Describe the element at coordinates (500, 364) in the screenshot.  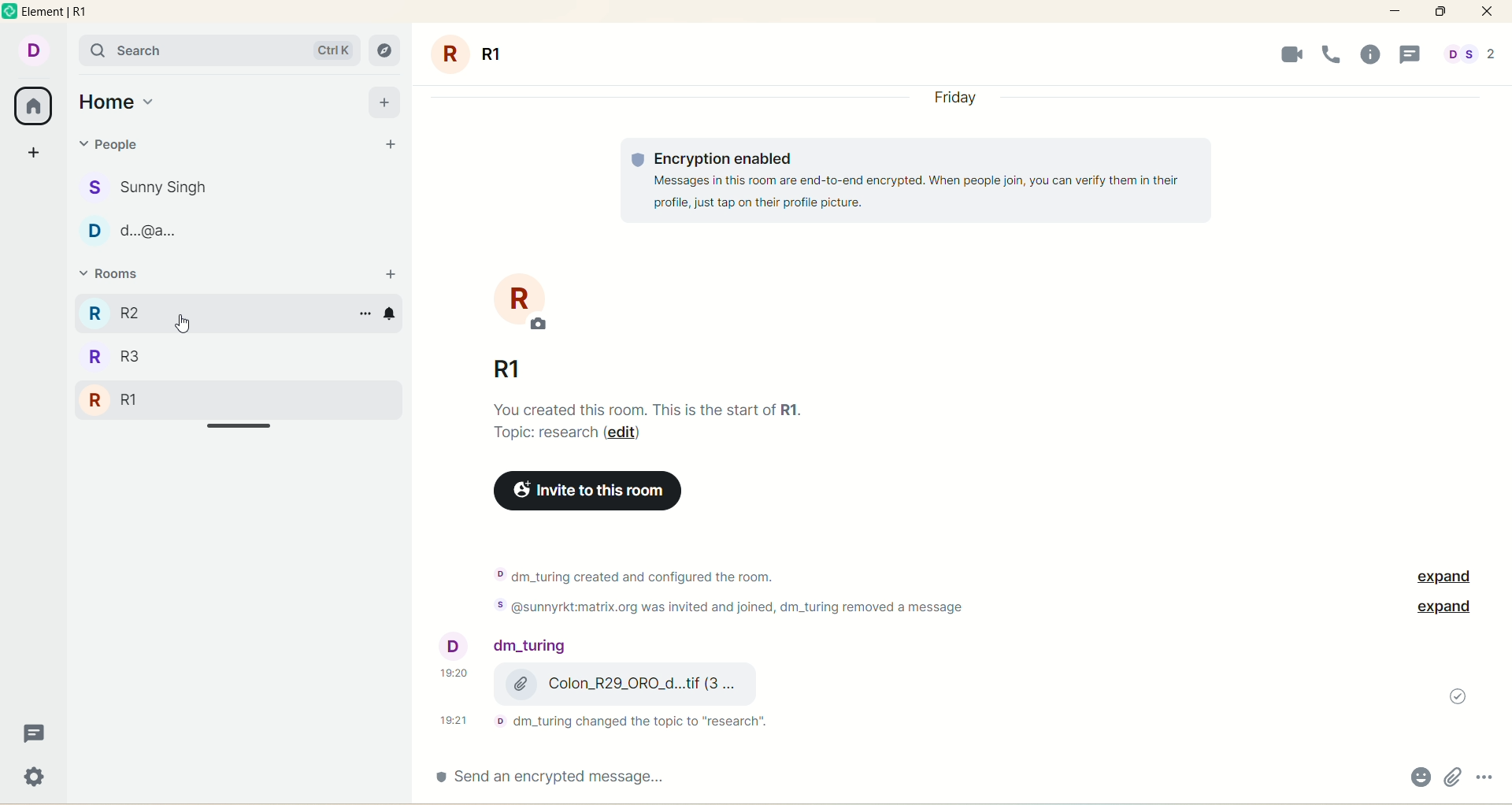
I see `room name` at that location.